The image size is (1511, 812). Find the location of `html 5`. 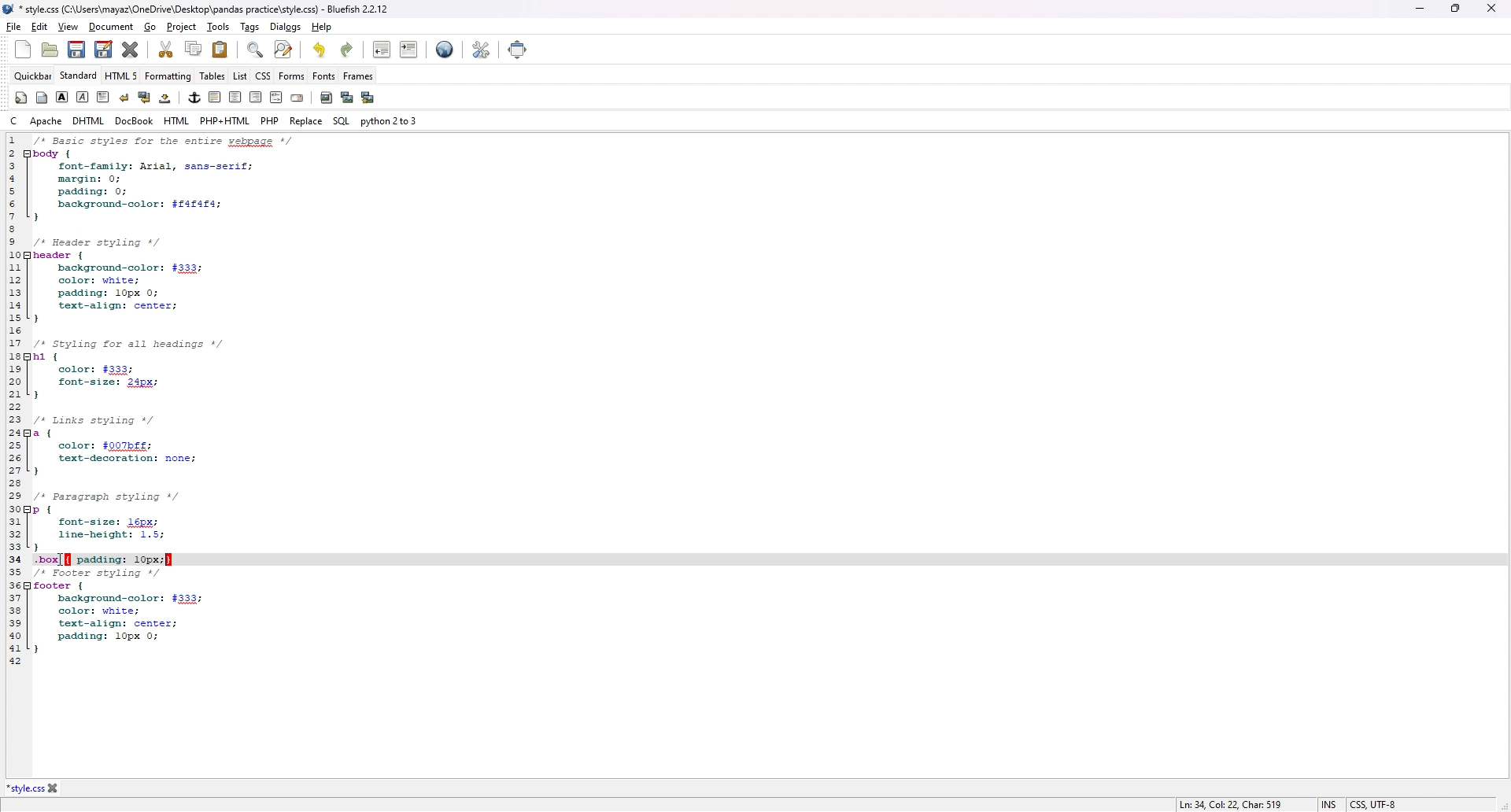

html 5 is located at coordinates (122, 76).